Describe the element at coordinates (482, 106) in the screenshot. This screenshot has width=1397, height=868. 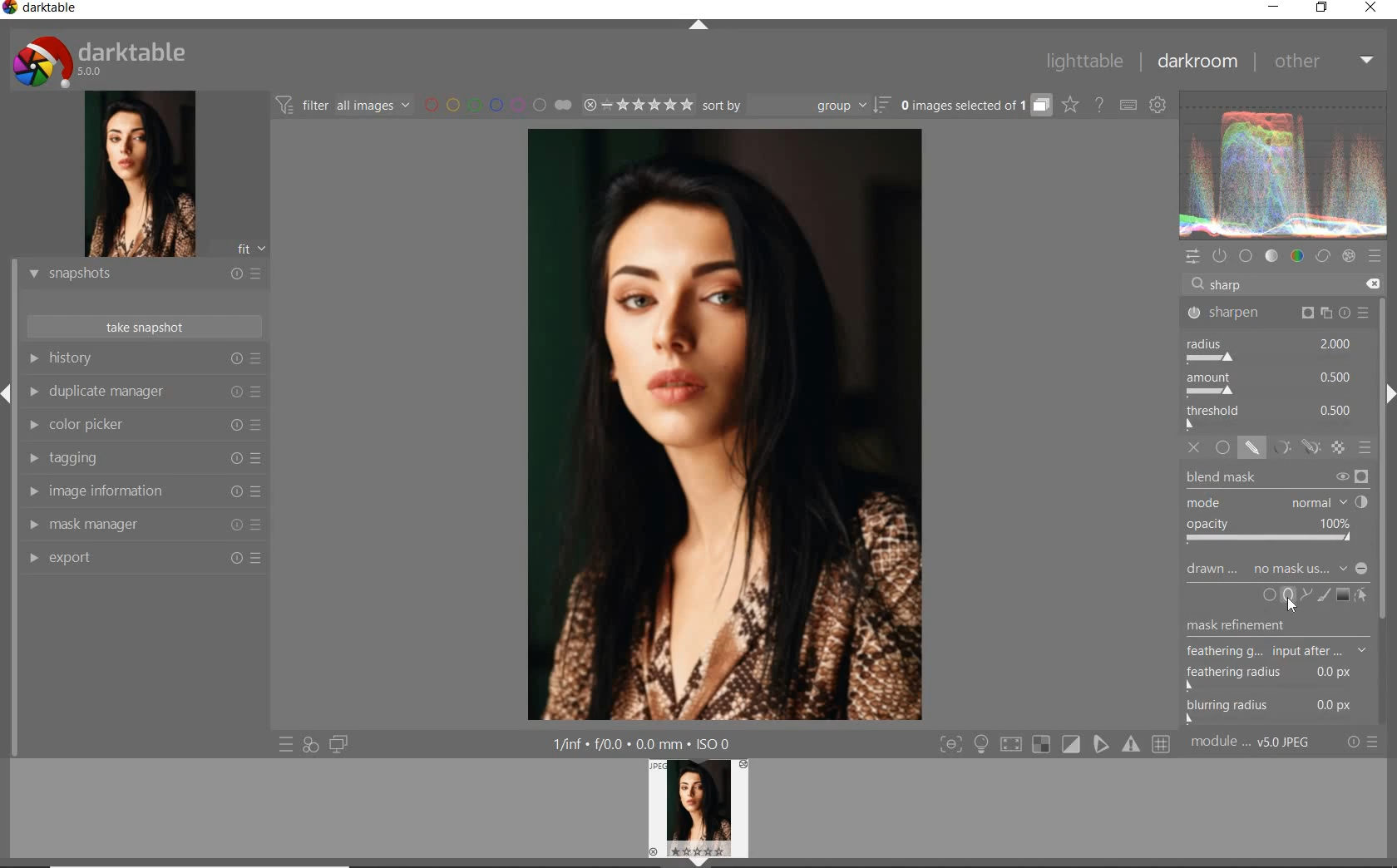
I see `filter images by color labels` at that location.